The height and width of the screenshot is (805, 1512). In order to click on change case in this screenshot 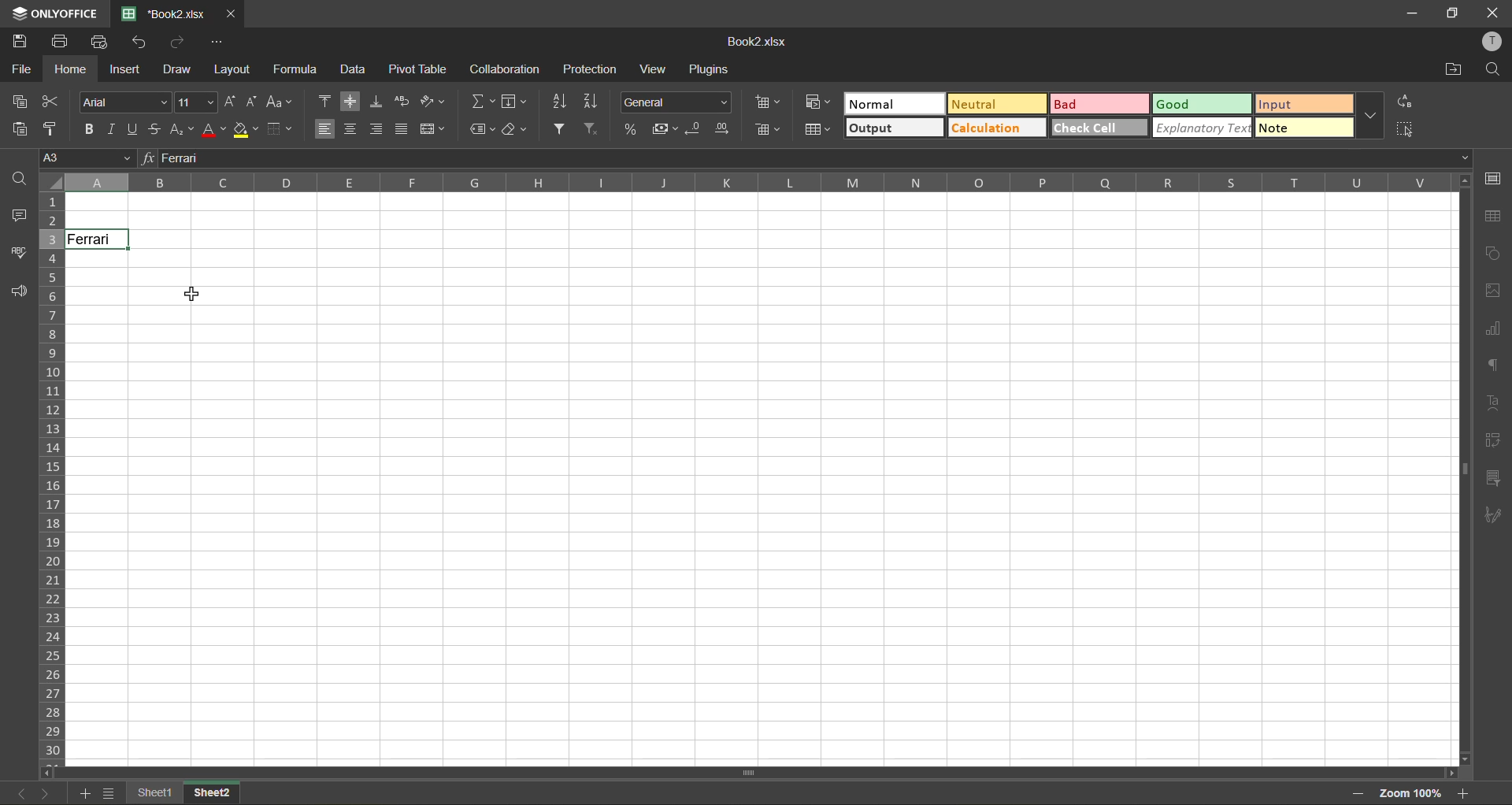, I will do `click(280, 101)`.